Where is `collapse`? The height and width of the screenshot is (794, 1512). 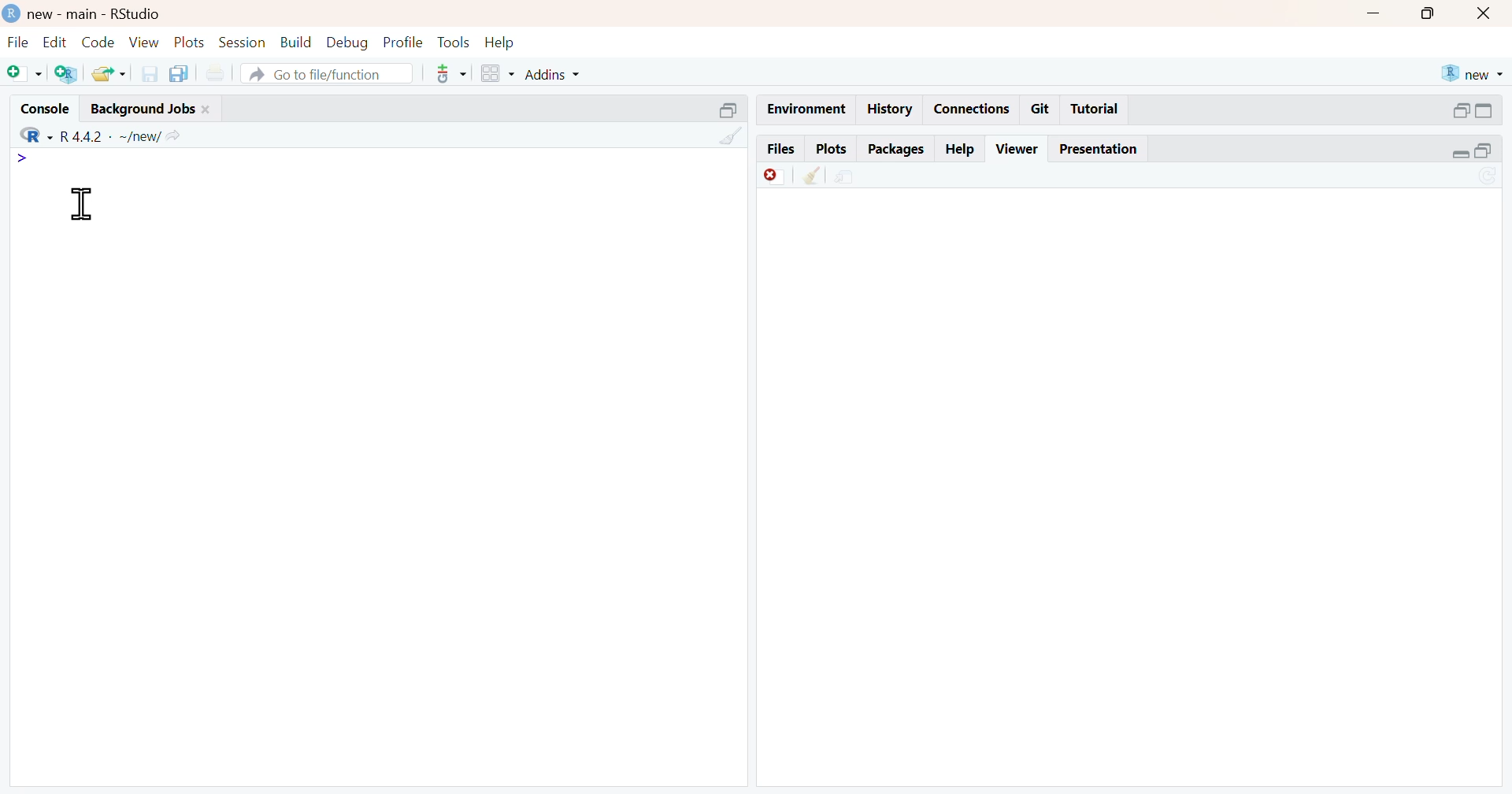
collapse is located at coordinates (1487, 113).